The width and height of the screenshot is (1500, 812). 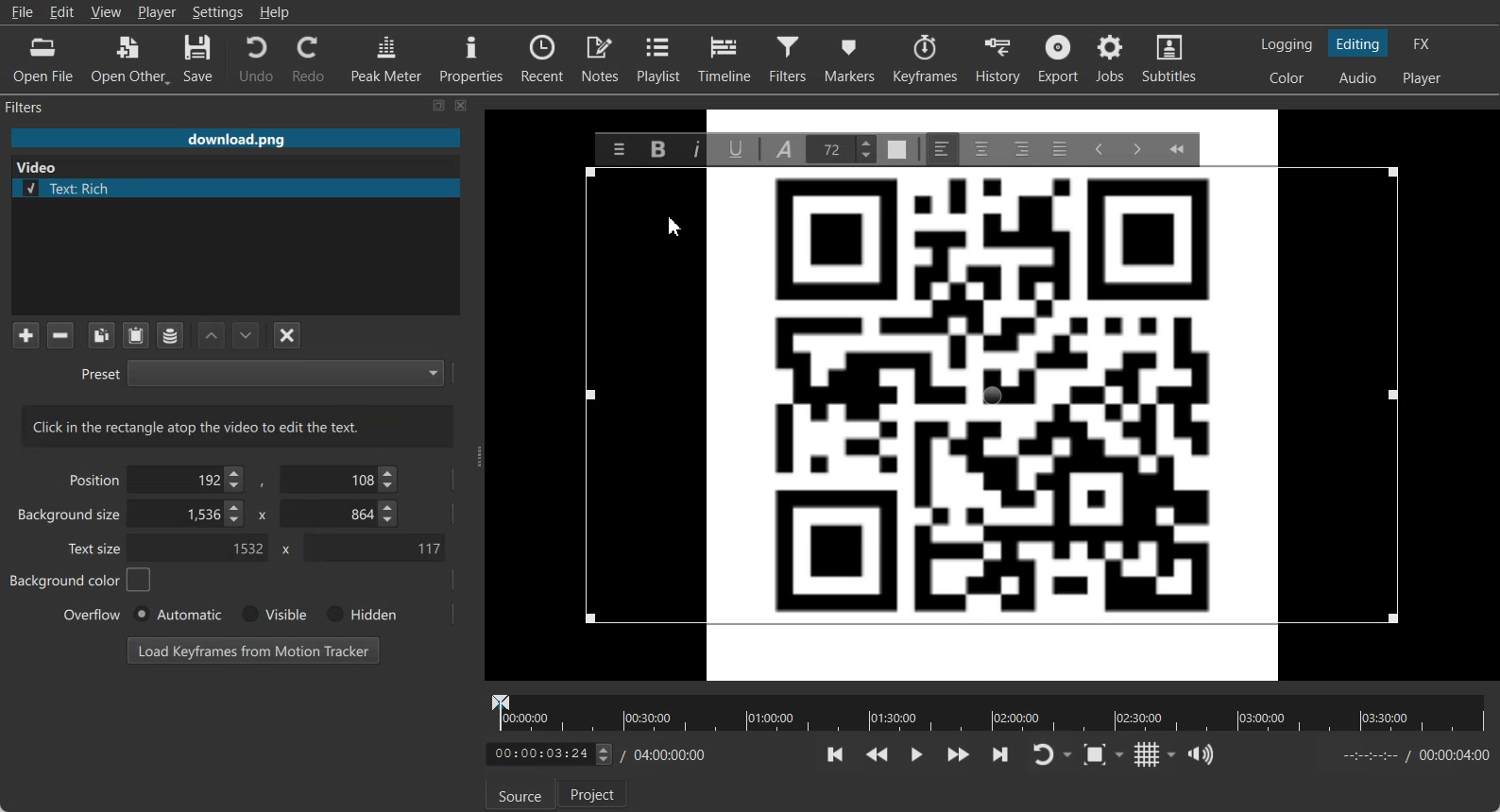 What do you see at coordinates (341, 479) in the screenshot?
I see `Position Y- Coordinate` at bounding box center [341, 479].